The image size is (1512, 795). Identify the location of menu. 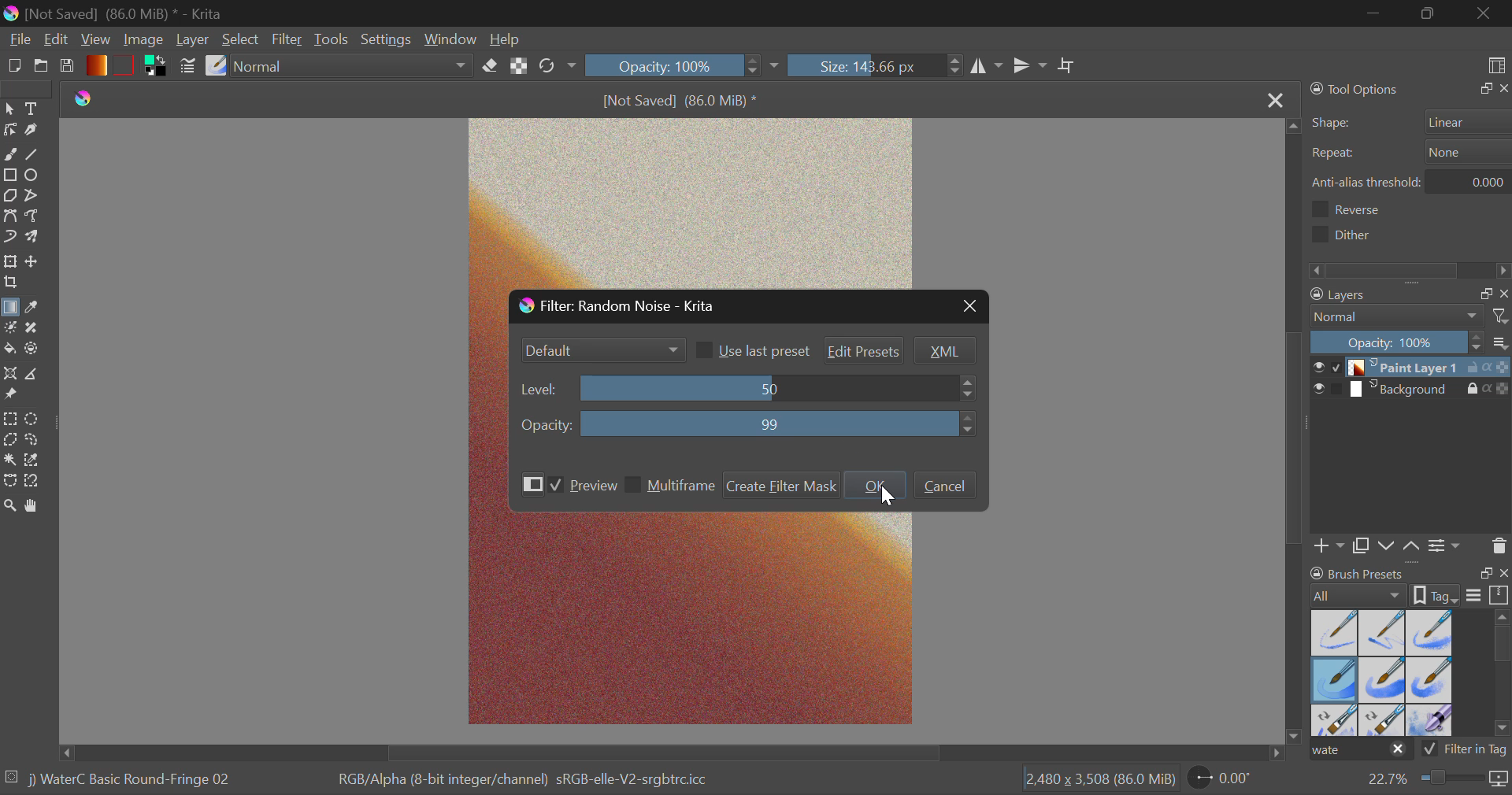
(1503, 345).